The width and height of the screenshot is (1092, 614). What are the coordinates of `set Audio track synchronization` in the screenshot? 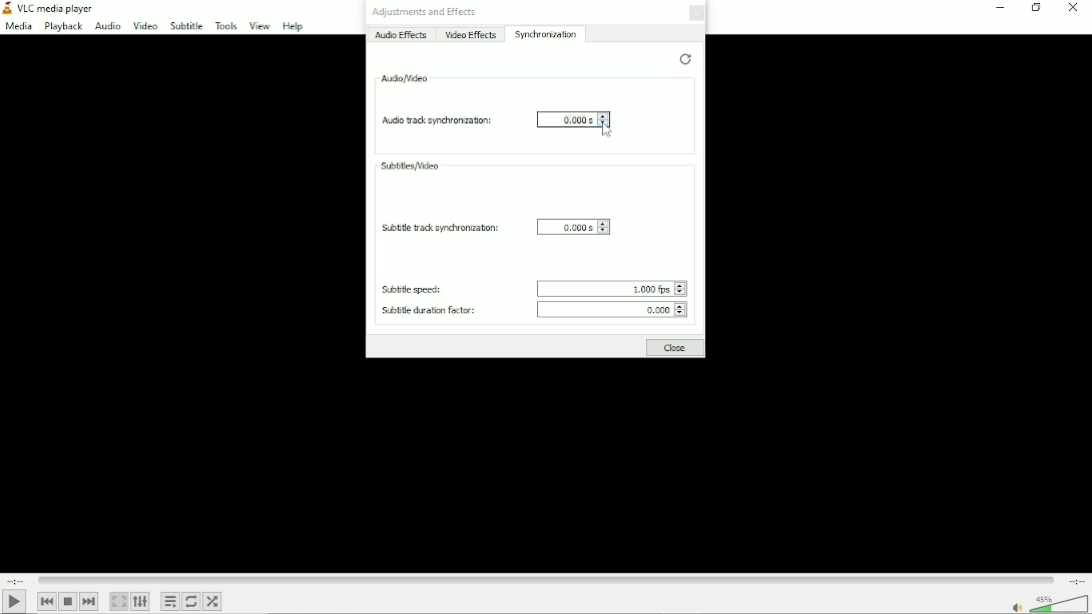 It's located at (565, 119).